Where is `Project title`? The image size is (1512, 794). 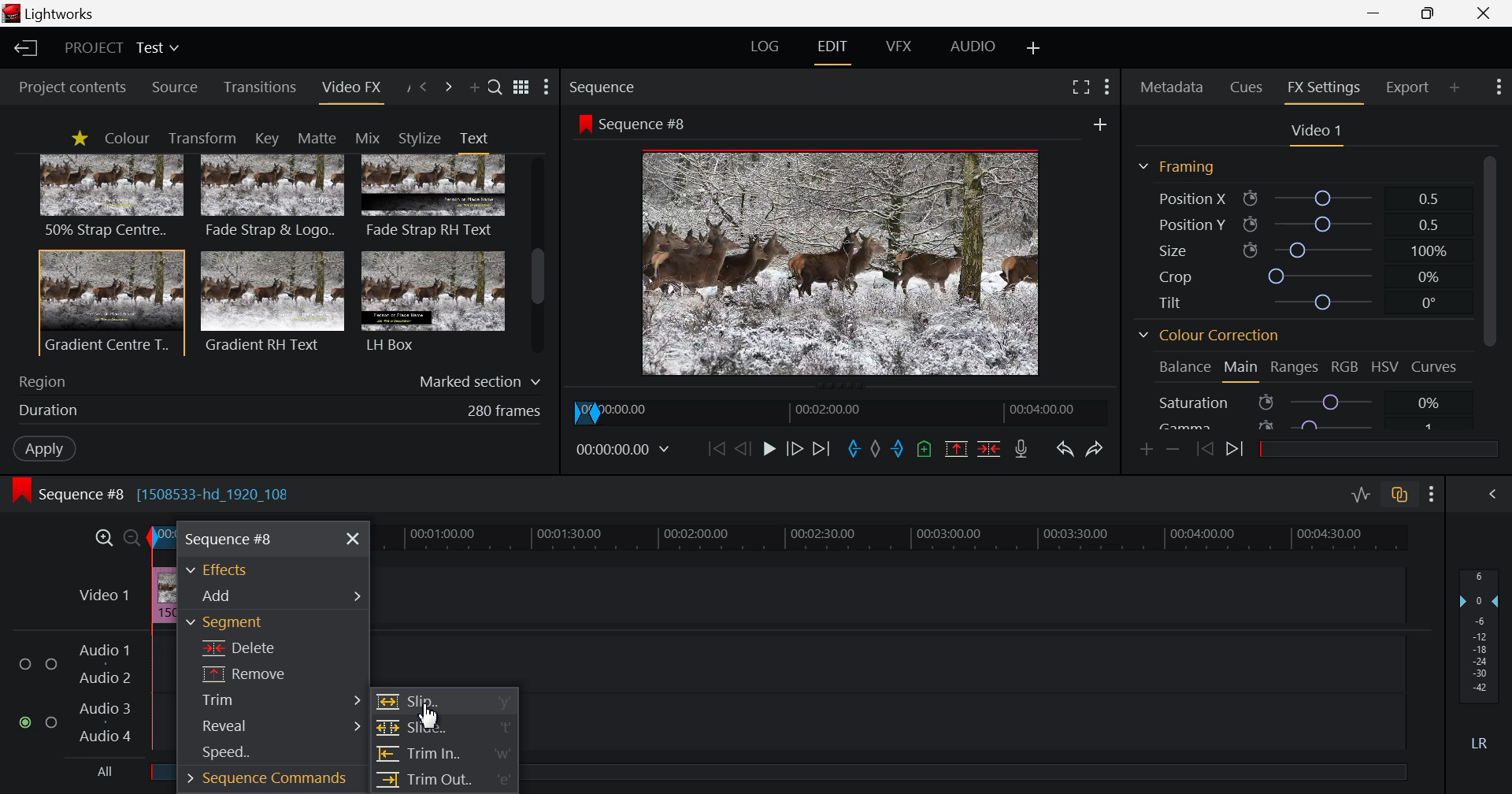 Project title is located at coordinates (124, 48).